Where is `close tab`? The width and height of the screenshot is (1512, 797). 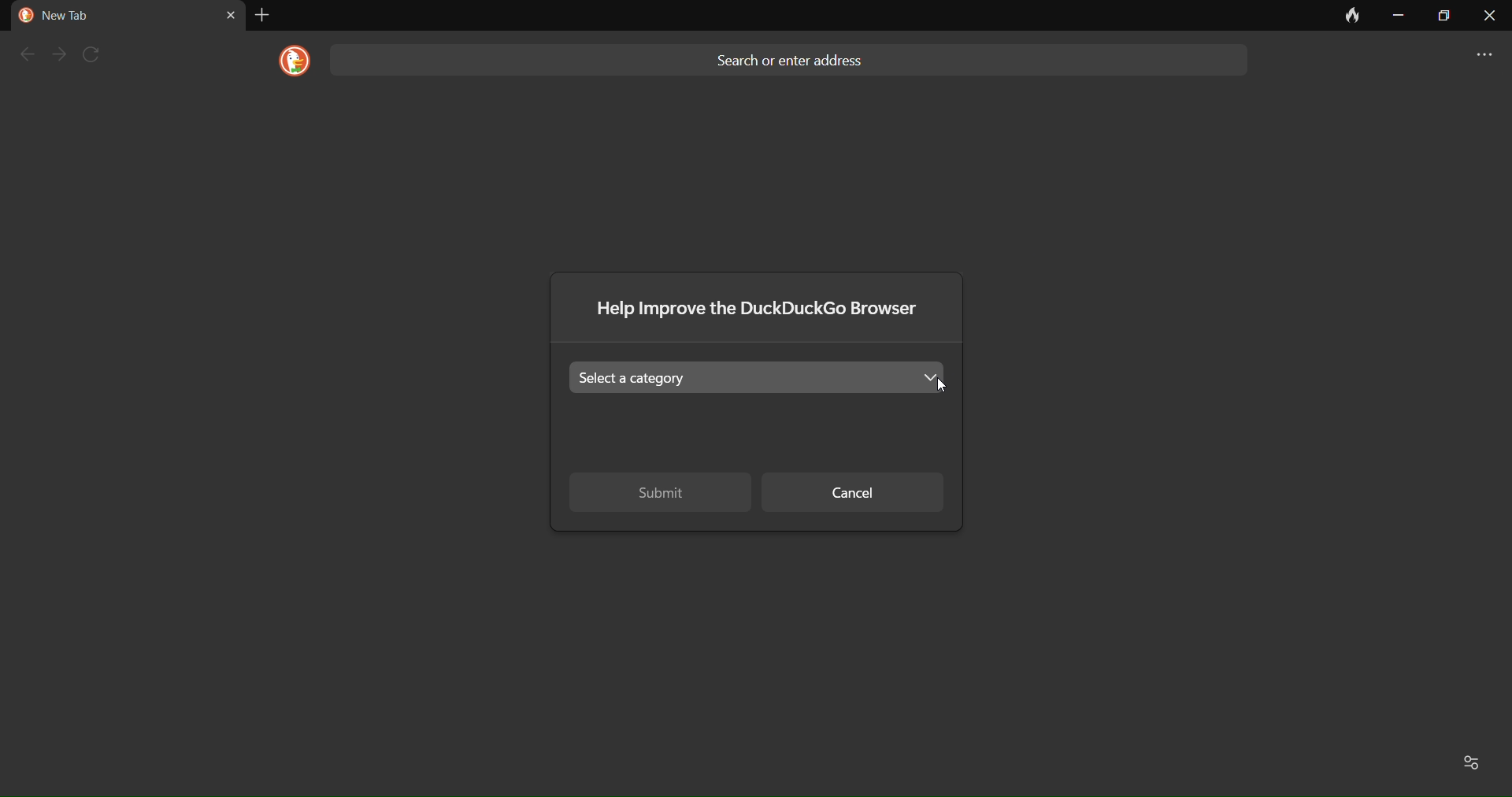
close tab is located at coordinates (230, 14).